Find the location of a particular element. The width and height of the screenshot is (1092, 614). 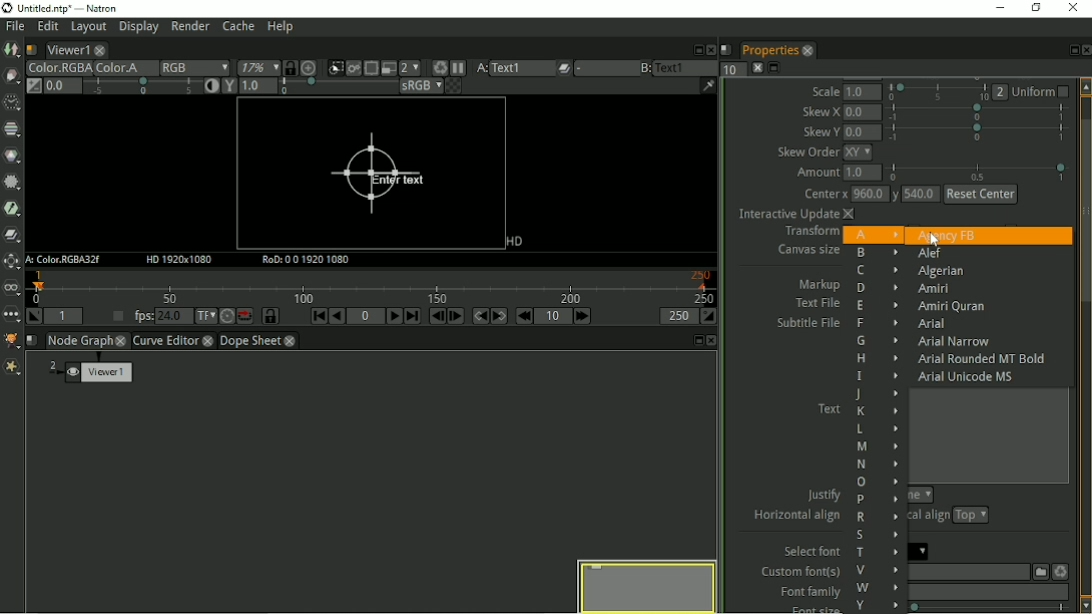

J is located at coordinates (875, 394).